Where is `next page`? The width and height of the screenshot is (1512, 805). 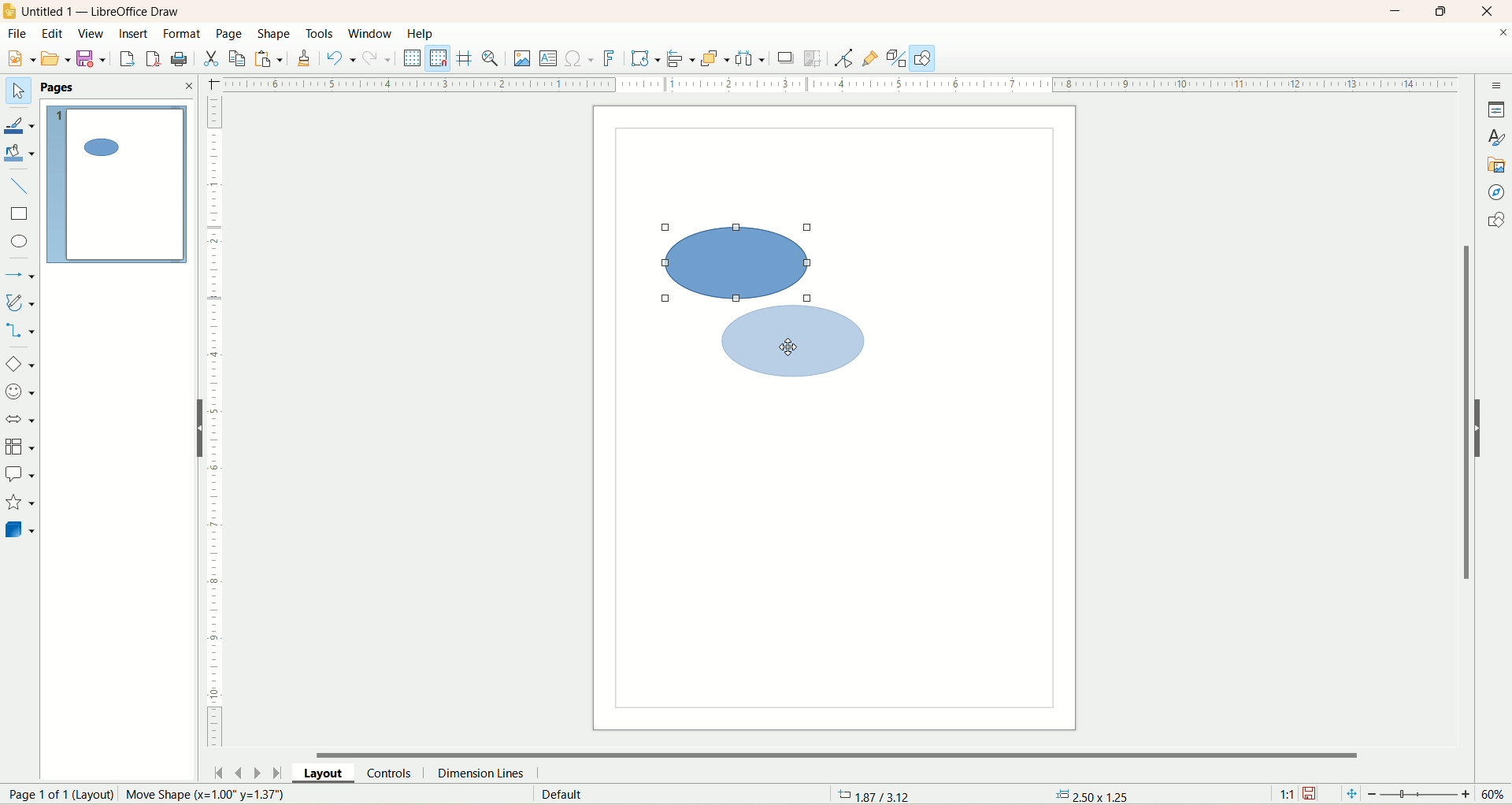 next page is located at coordinates (259, 773).